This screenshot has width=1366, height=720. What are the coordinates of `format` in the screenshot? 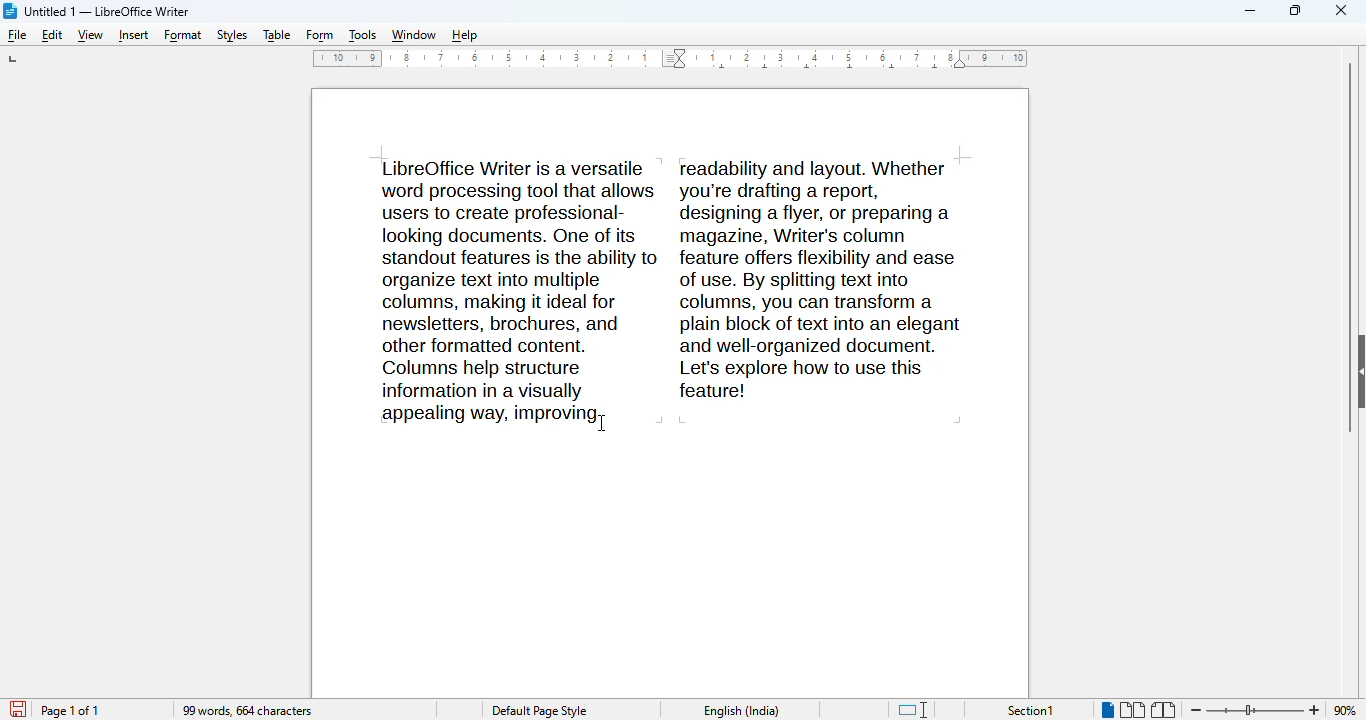 It's located at (183, 36).